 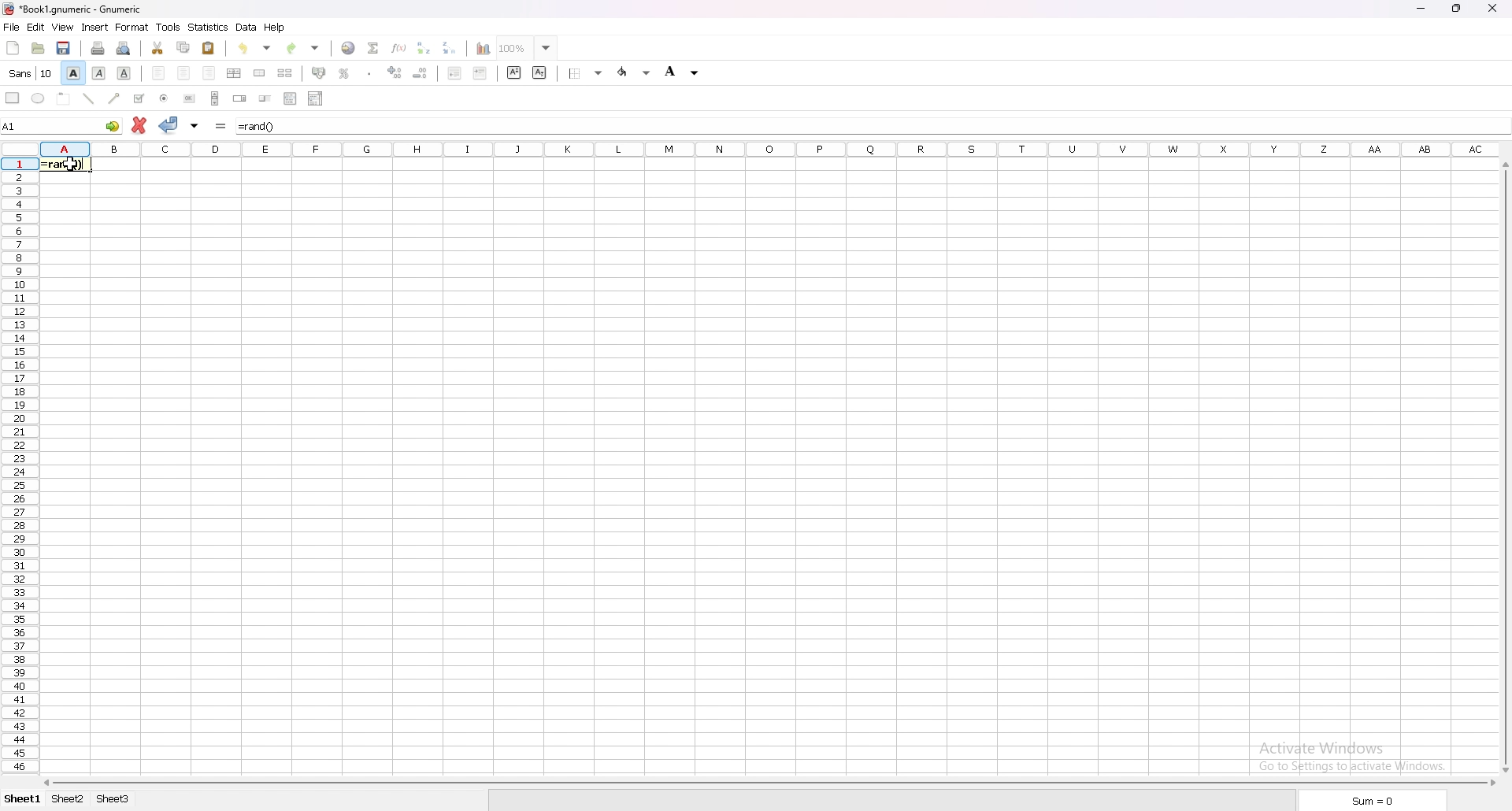 I want to click on thousand separator, so click(x=370, y=73).